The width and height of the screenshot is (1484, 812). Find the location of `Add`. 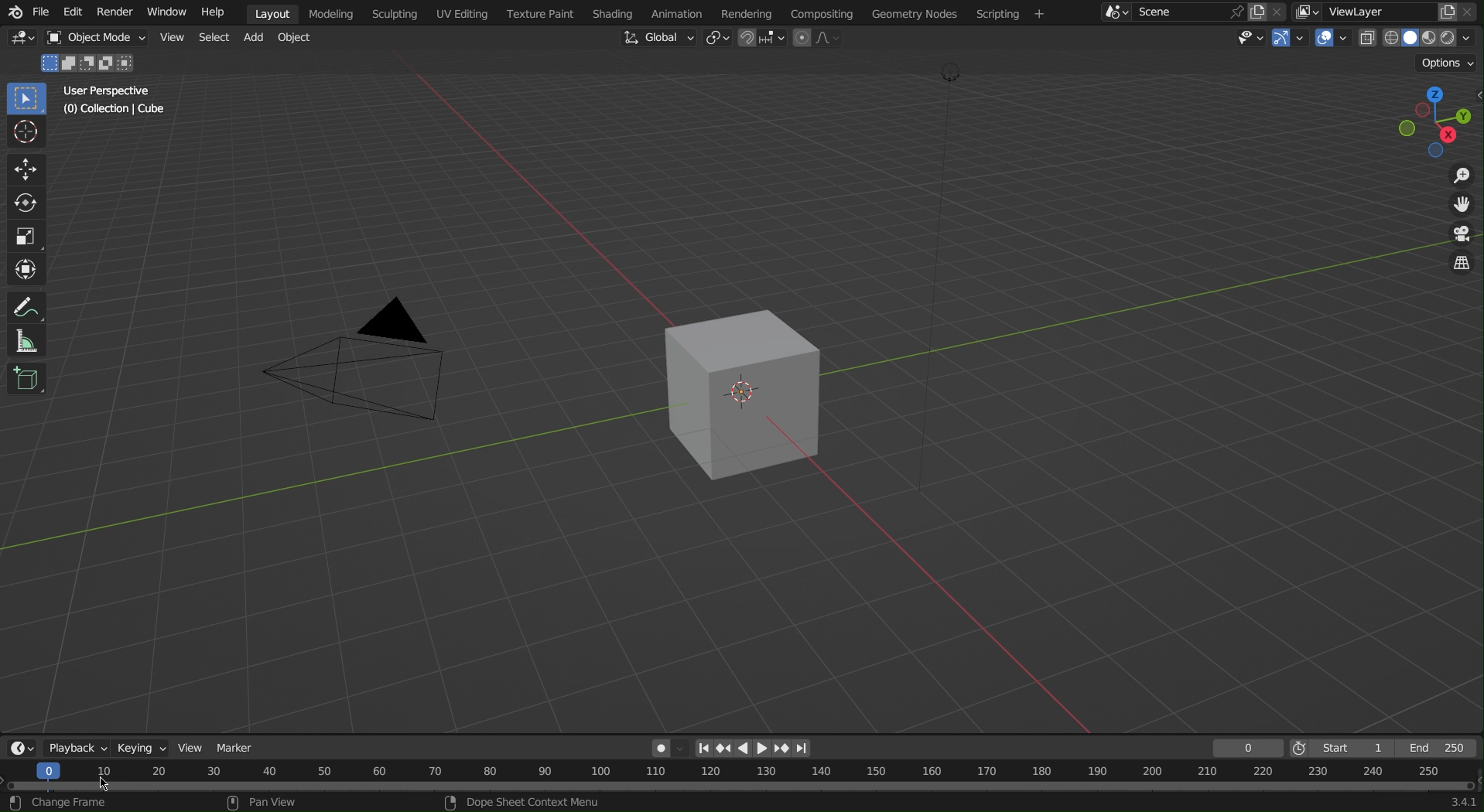

Add is located at coordinates (259, 38).